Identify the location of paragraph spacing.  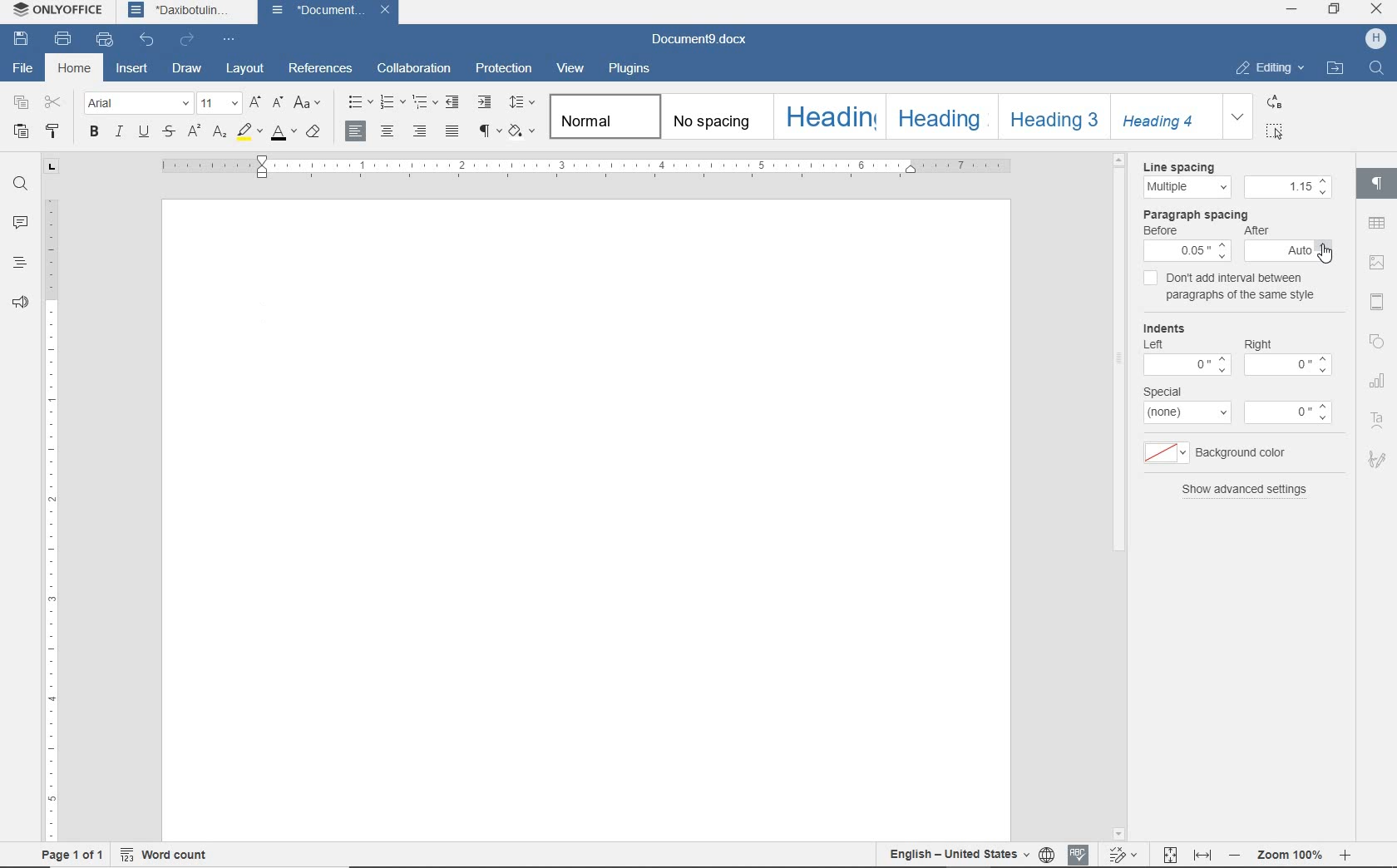
(1195, 215).